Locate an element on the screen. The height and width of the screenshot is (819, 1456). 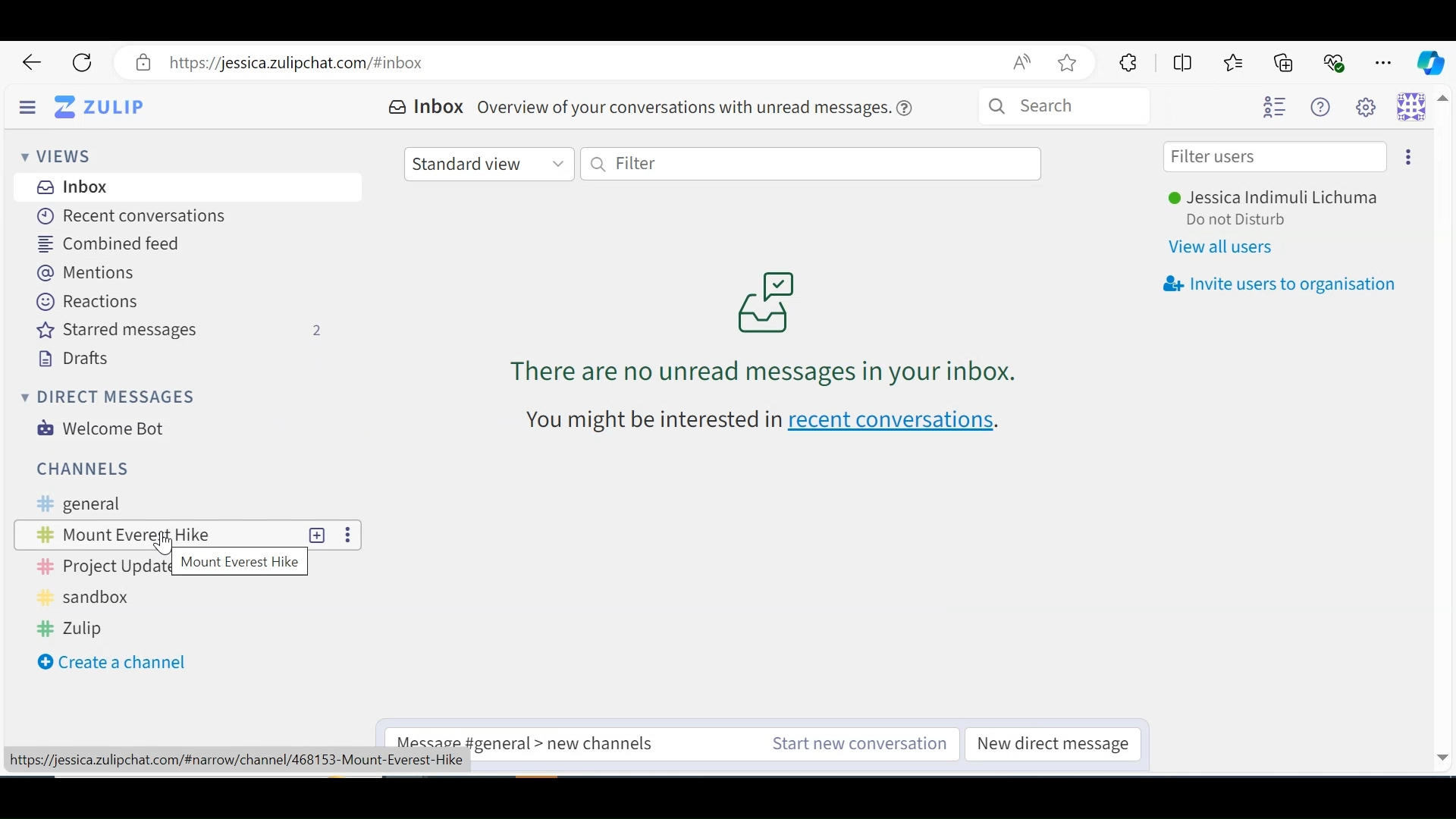
Help menu is located at coordinates (1325, 107).